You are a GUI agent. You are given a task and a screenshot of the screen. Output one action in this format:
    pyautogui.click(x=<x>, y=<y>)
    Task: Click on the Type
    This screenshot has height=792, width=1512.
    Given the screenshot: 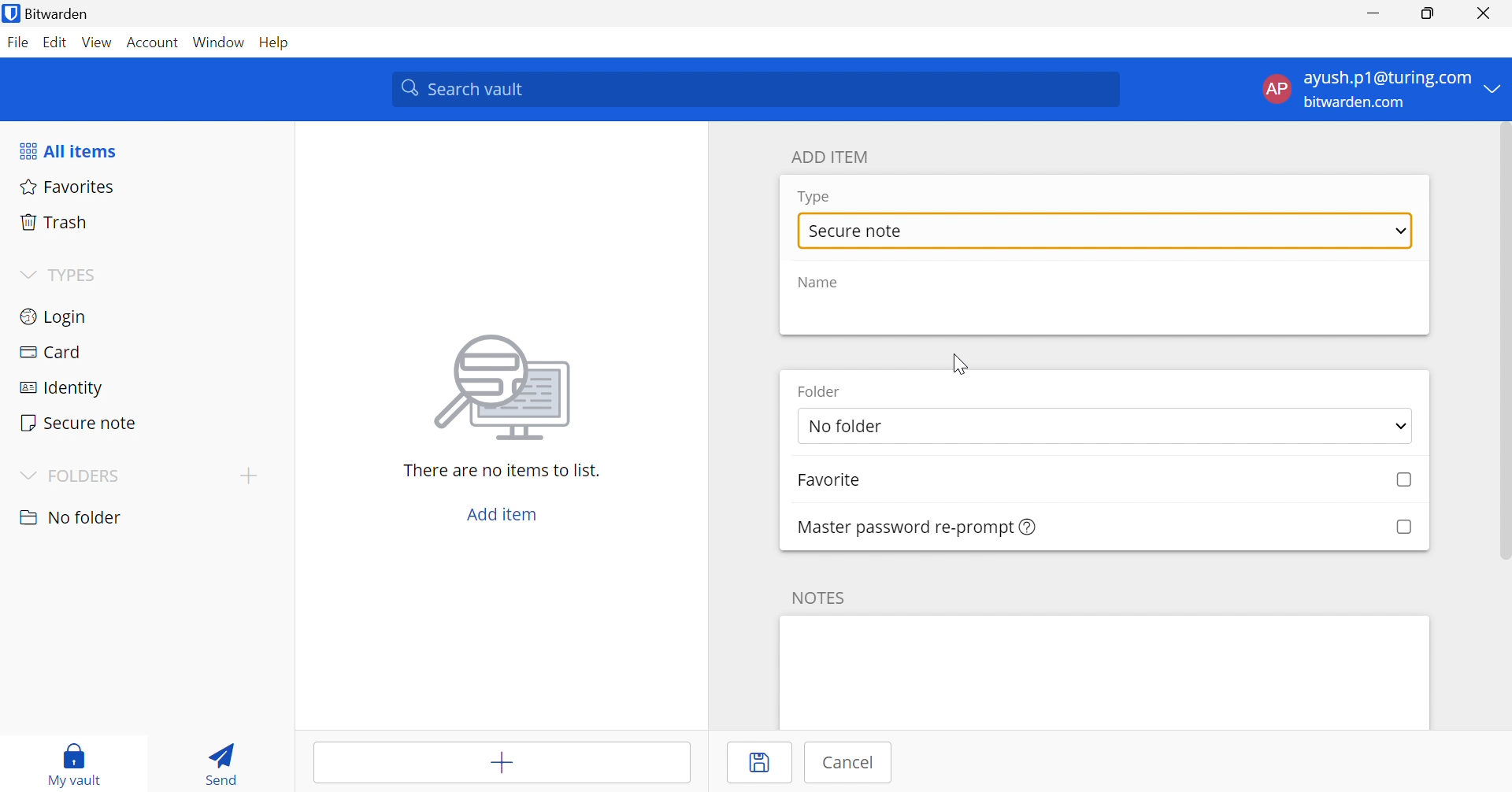 What is the action you would take?
    pyautogui.click(x=815, y=198)
    